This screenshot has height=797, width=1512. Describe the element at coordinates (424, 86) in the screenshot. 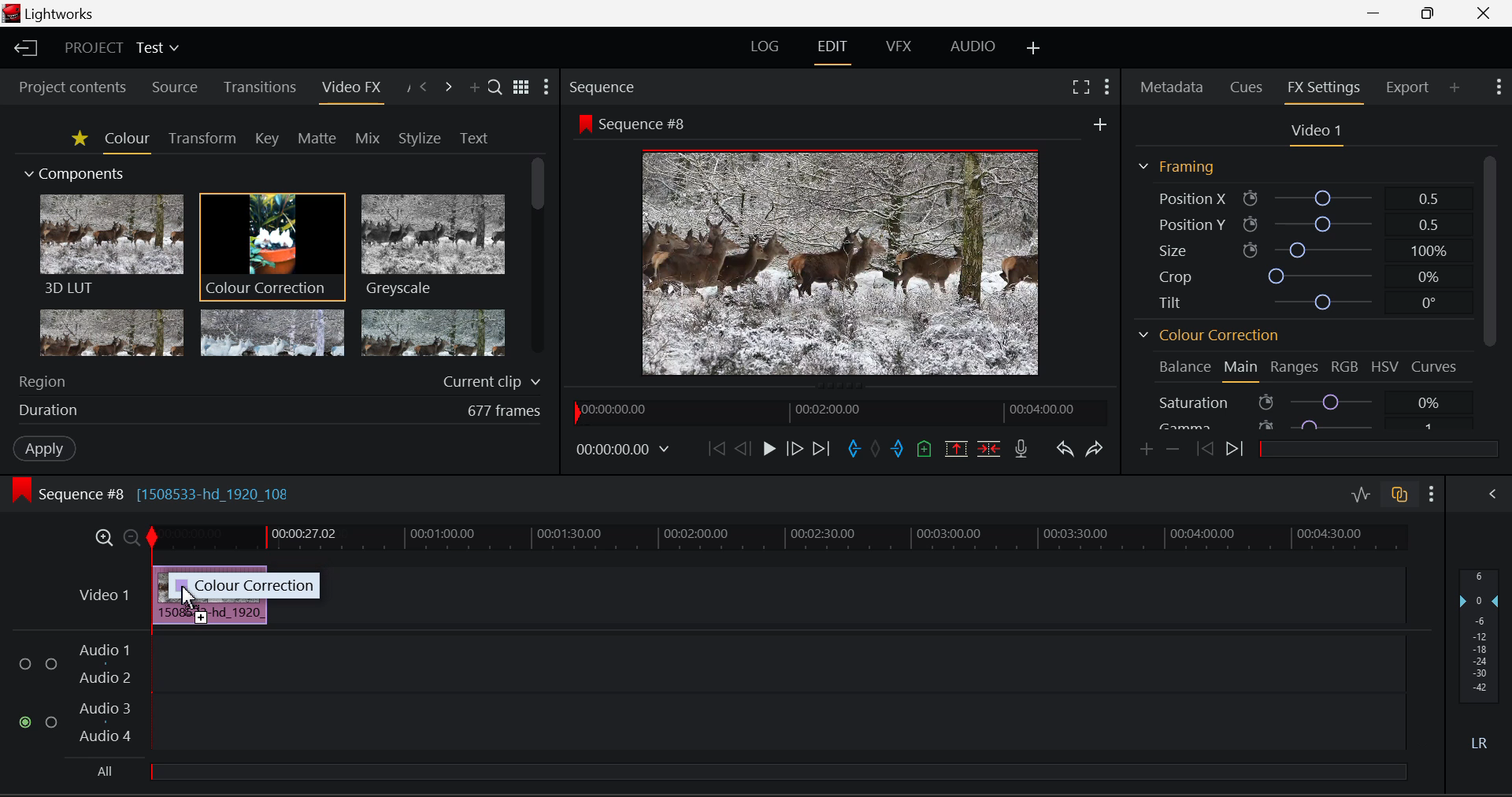

I see `Previous Panel` at that location.